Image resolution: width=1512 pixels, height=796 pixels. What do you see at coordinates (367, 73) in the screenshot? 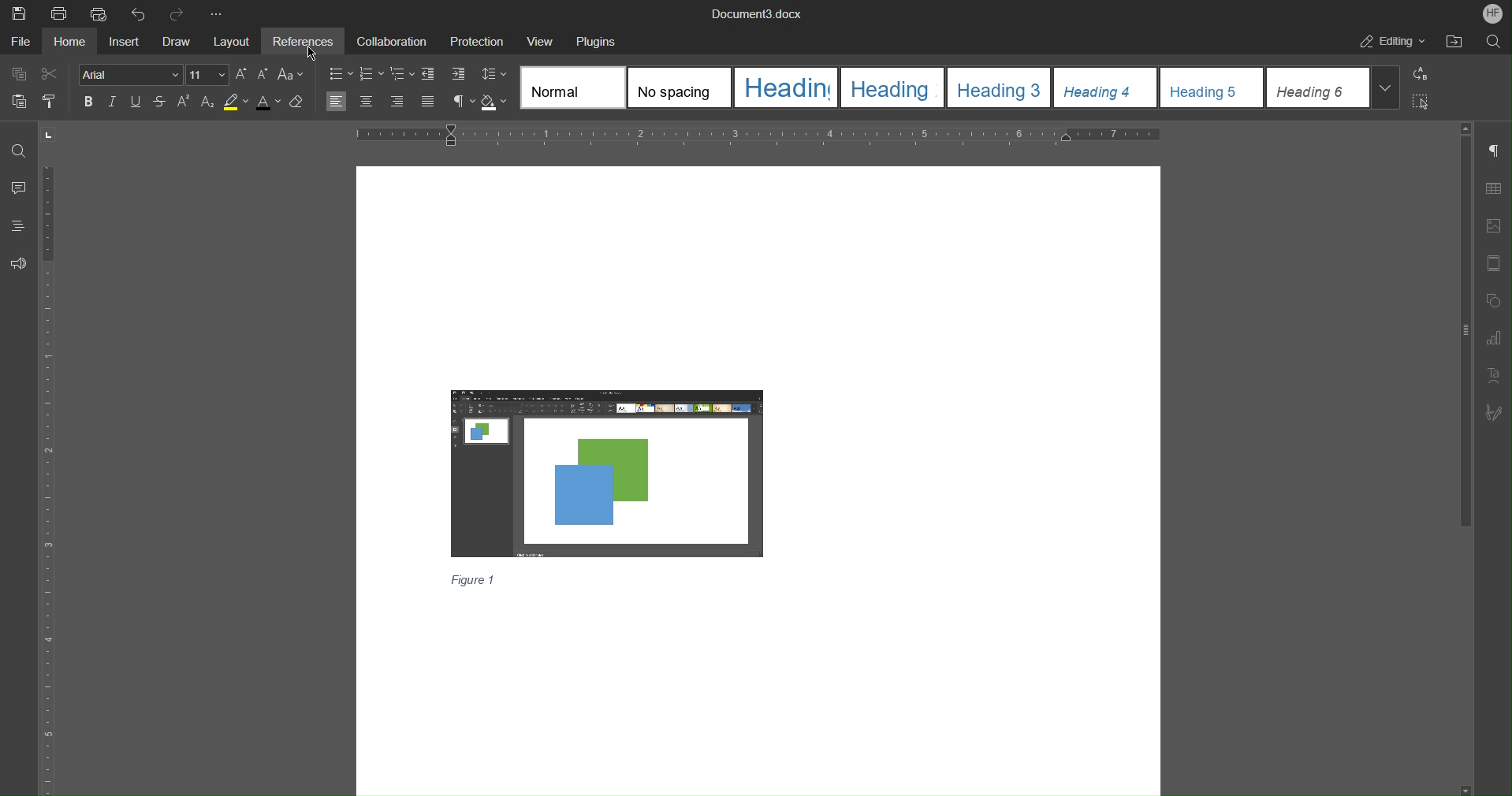
I see `Numbering` at bounding box center [367, 73].